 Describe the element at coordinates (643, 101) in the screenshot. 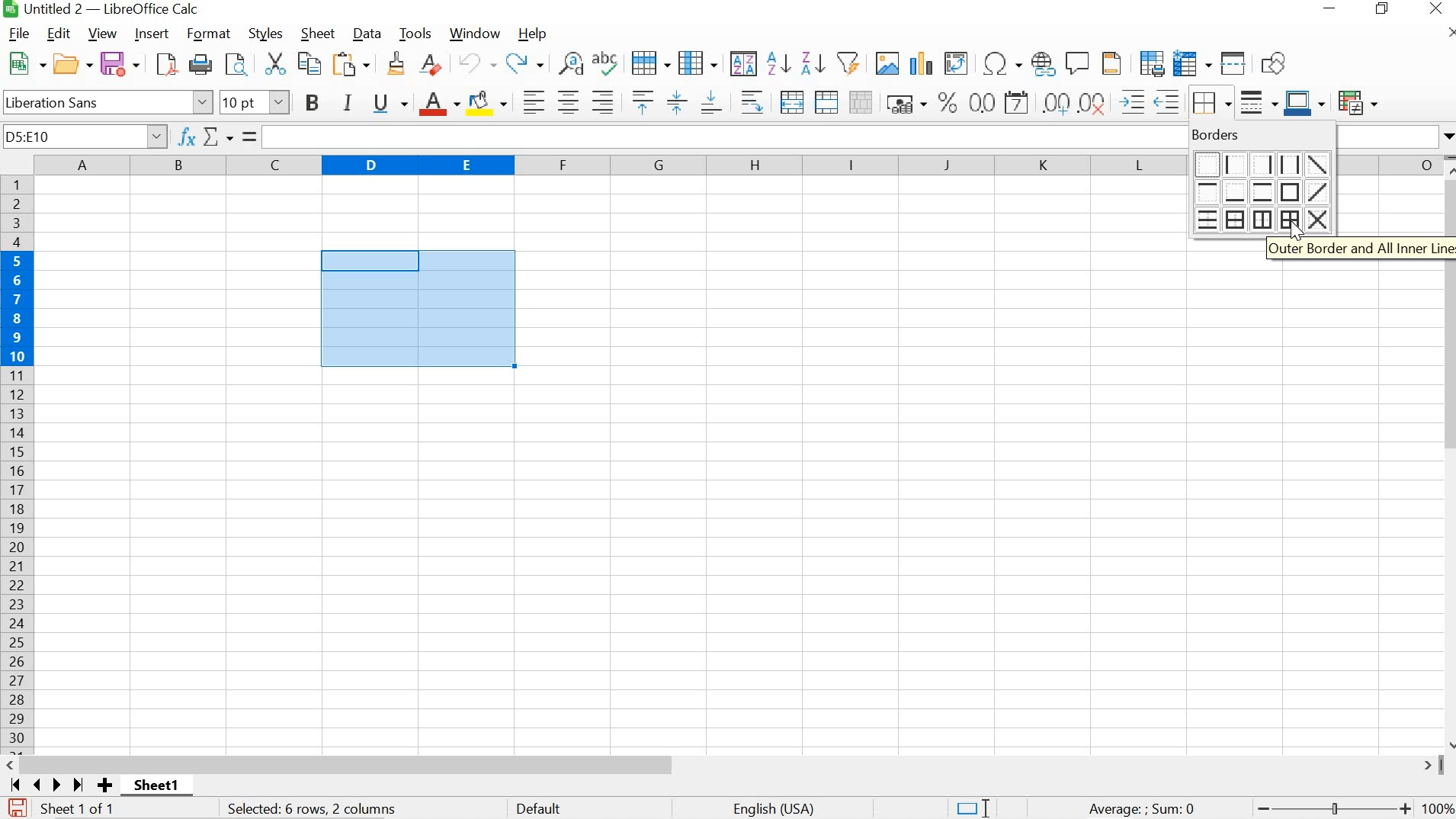

I see `ALIGN TOP` at that location.